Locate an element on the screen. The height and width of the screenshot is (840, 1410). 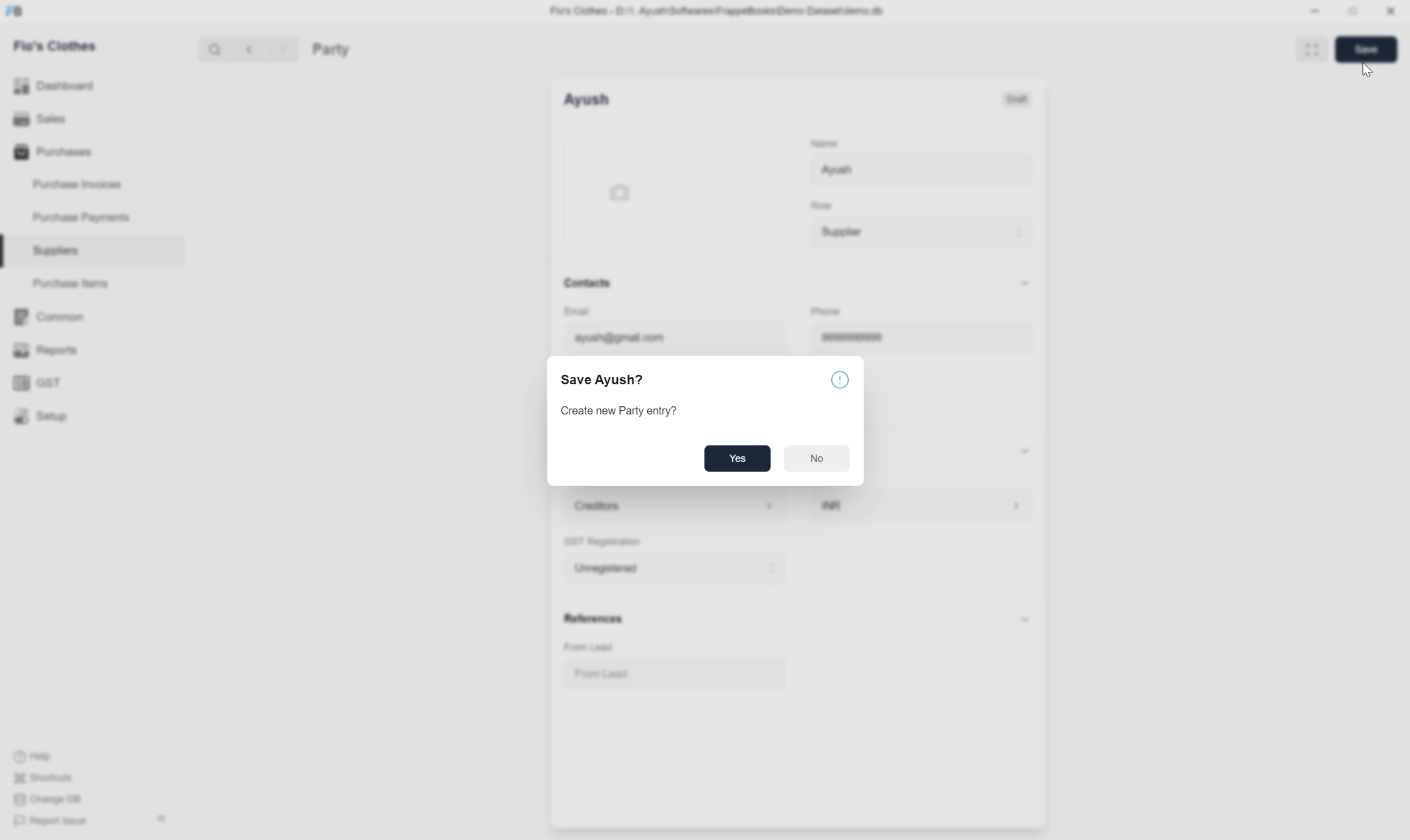
Minimize is located at coordinates (1315, 11).